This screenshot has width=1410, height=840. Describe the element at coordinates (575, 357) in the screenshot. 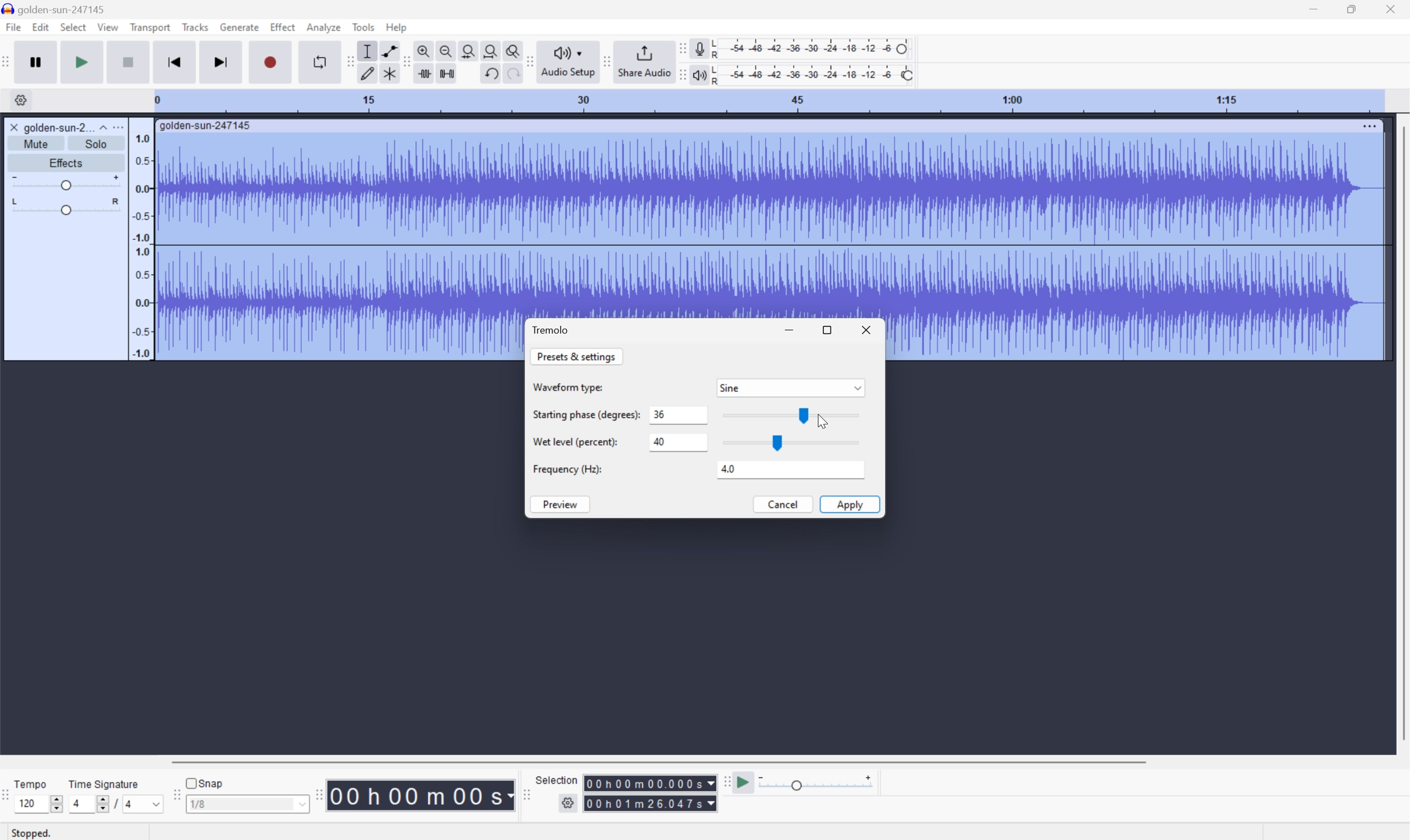

I see `Presets & settings` at that location.